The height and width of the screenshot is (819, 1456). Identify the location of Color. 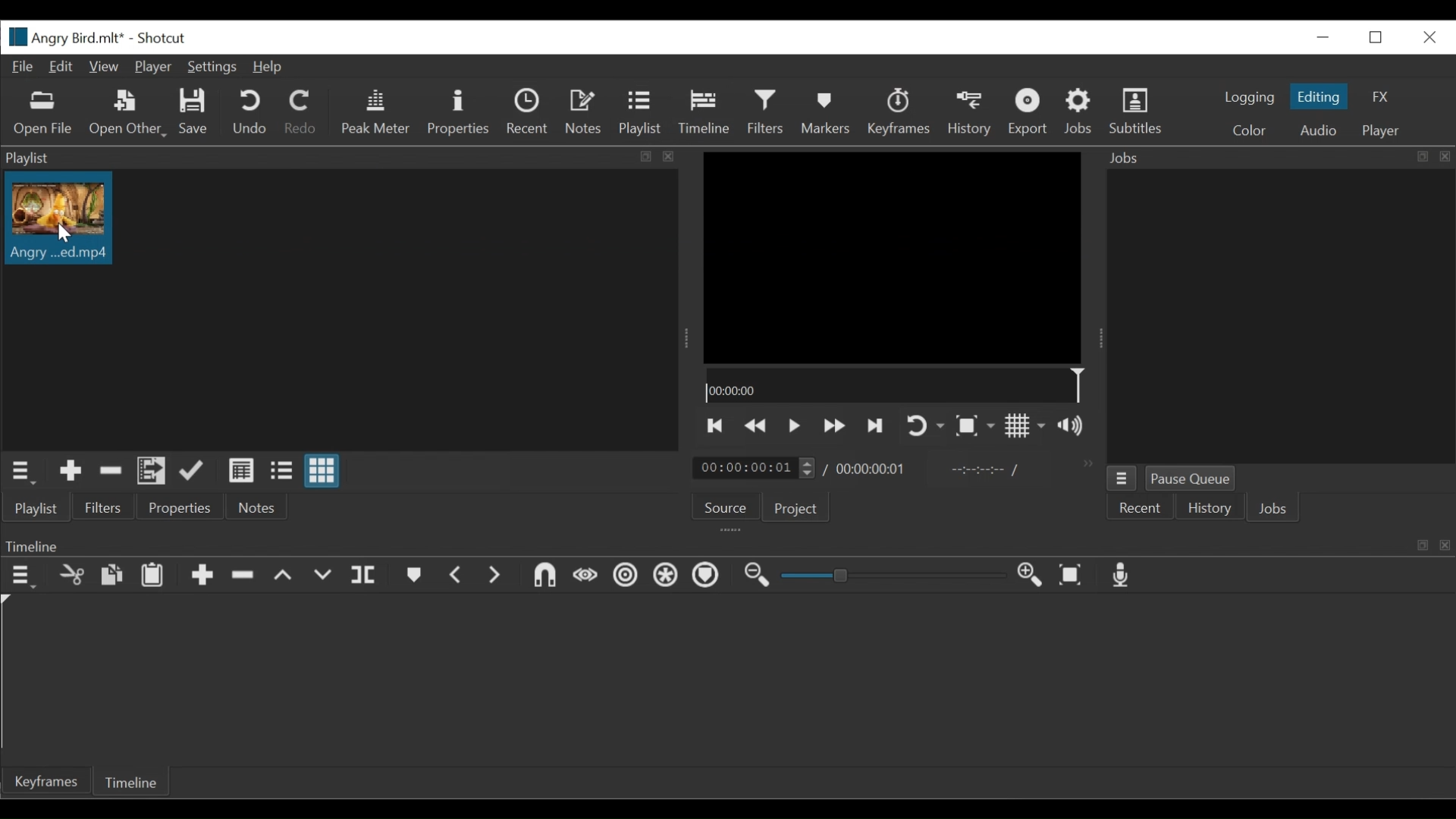
(1249, 129).